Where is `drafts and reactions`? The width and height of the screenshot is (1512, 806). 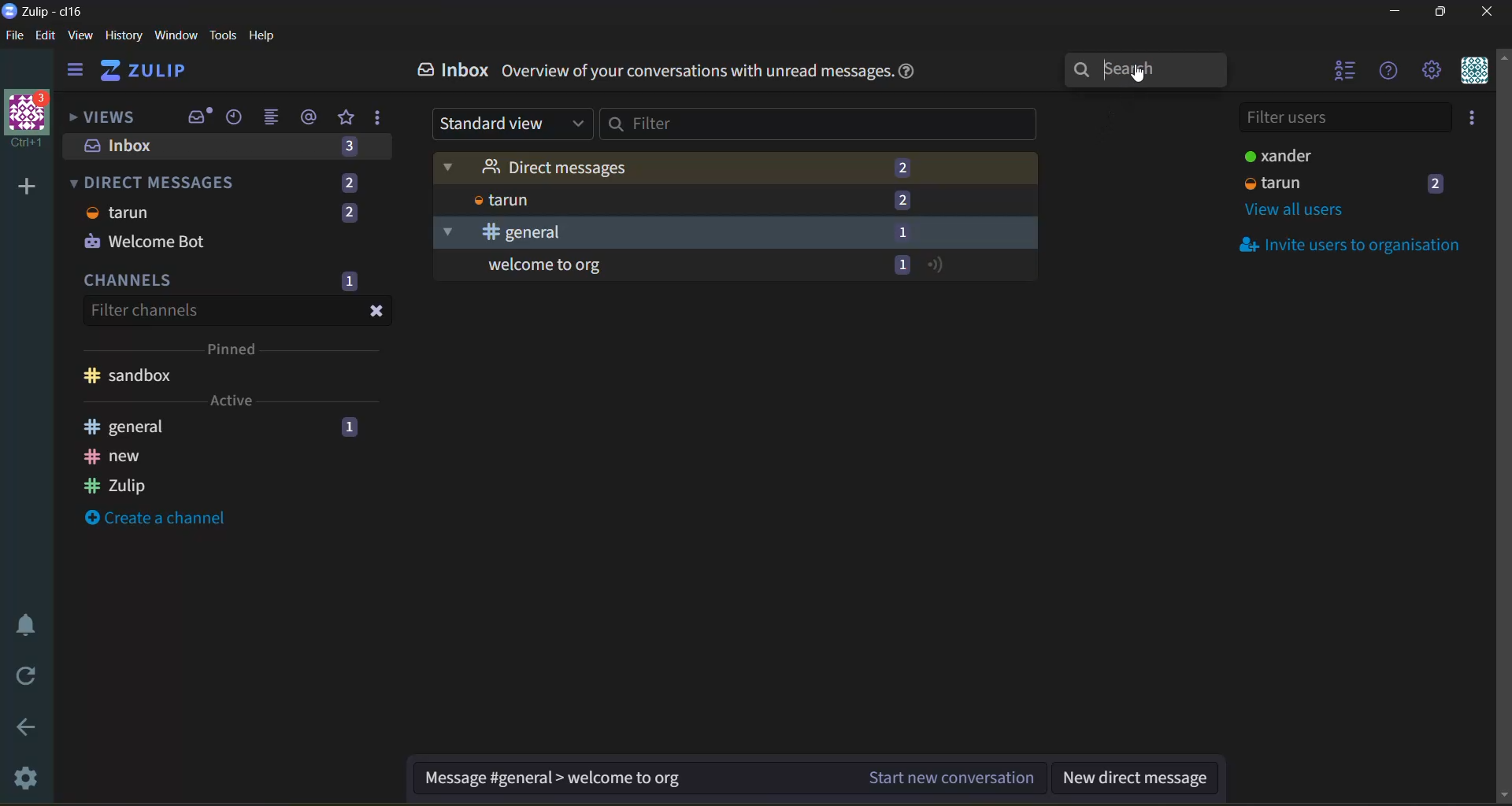
drafts and reactions is located at coordinates (379, 119).